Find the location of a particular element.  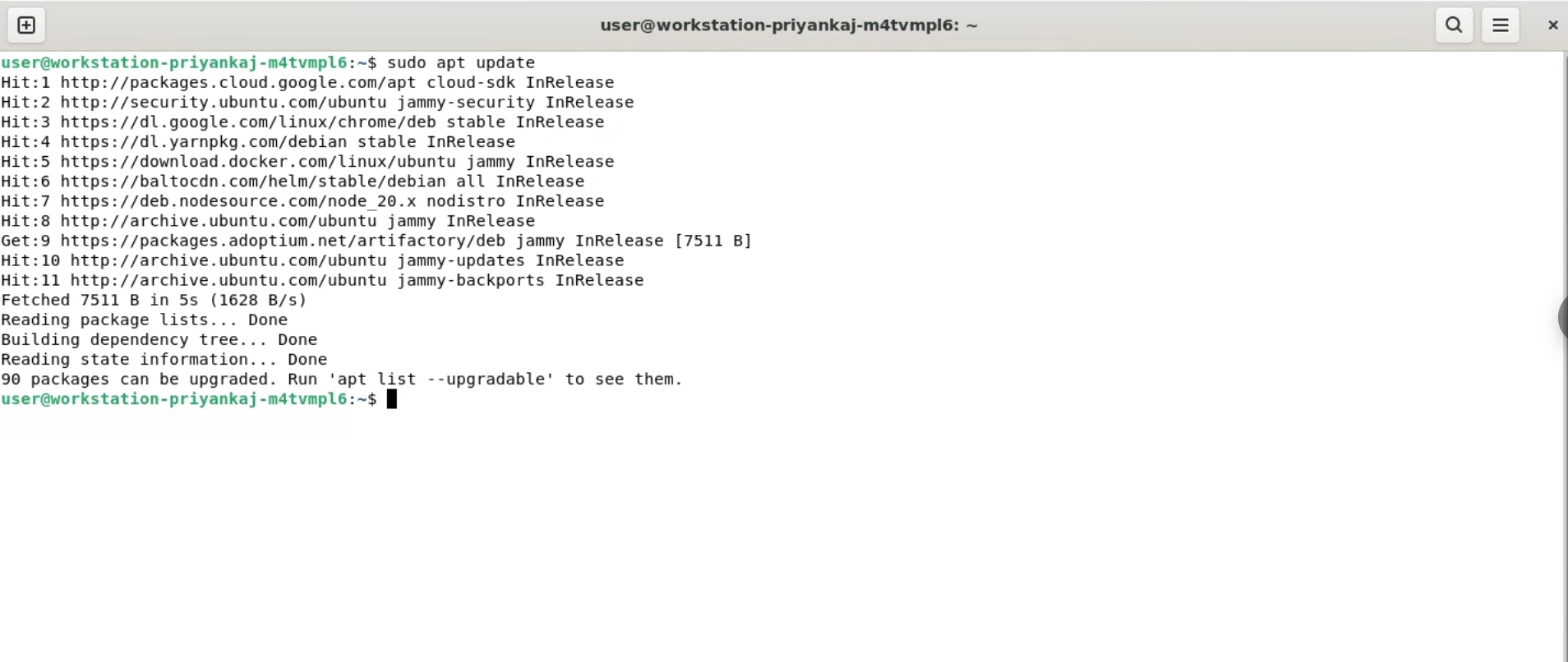

user@workstation-priyankaj-mdatvmplé6:~$ is located at coordinates (192, 62).